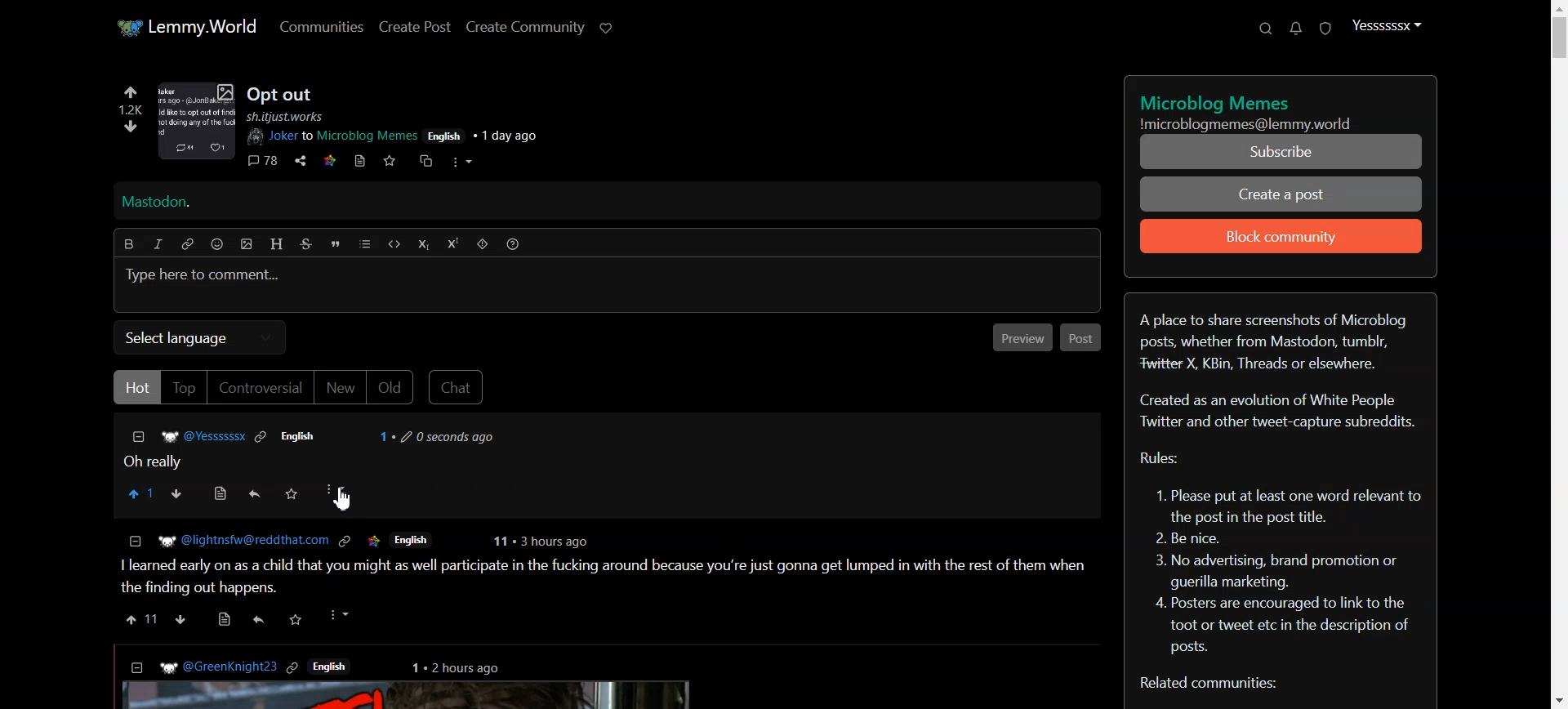 This screenshot has height=709, width=1568. I want to click on Header, so click(277, 244).